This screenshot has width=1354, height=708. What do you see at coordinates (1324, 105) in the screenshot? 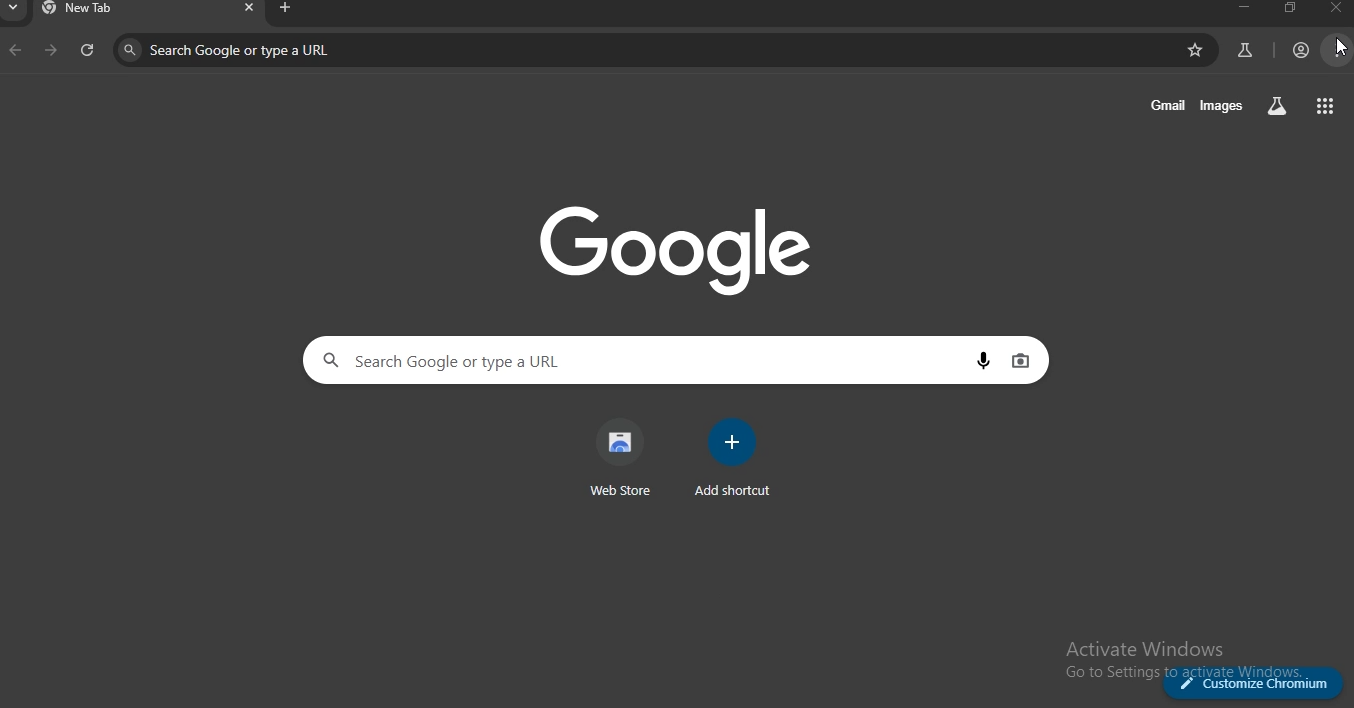
I see `google apps` at bounding box center [1324, 105].